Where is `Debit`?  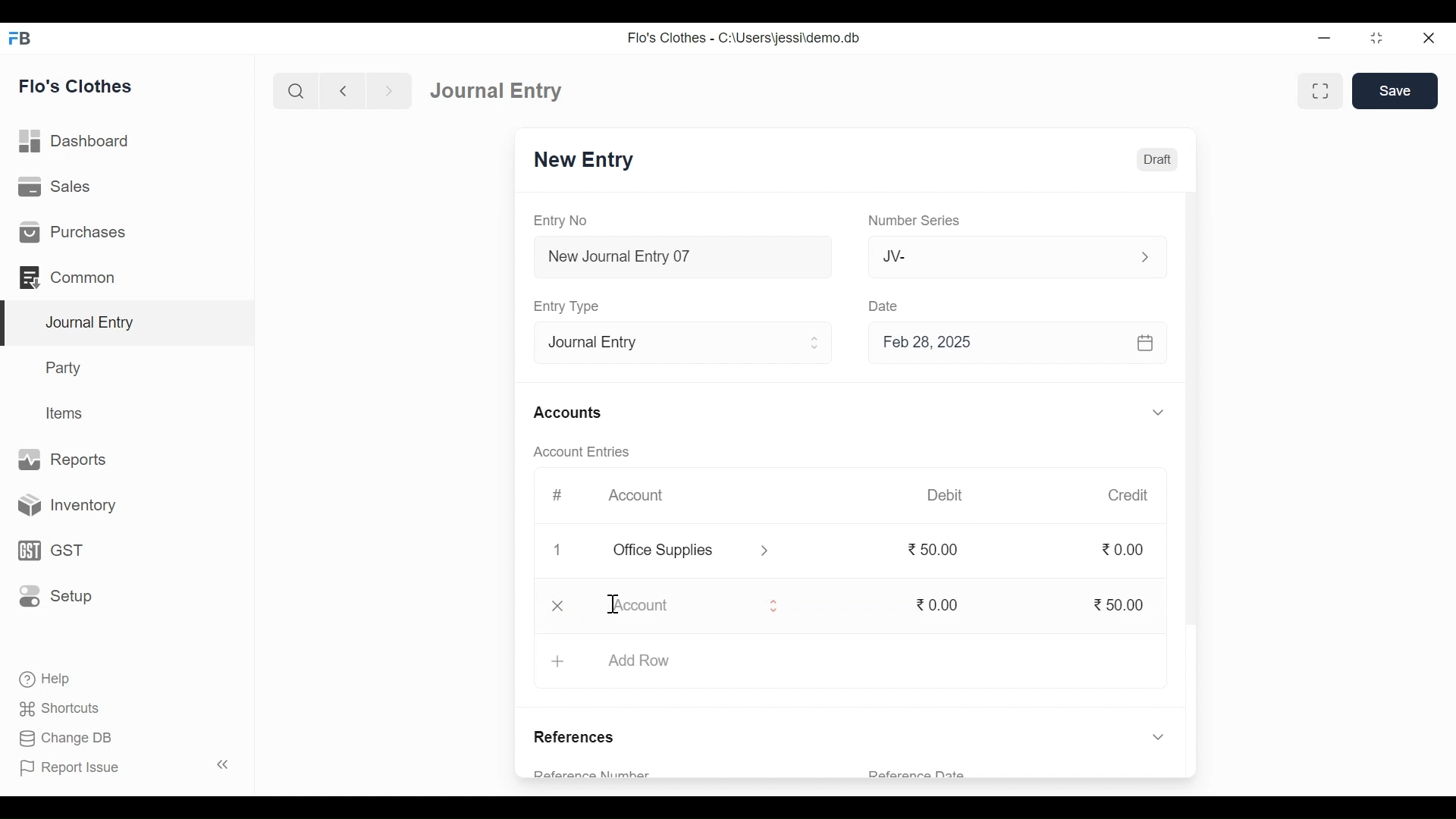 Debit is located at coordinates (943, 495).